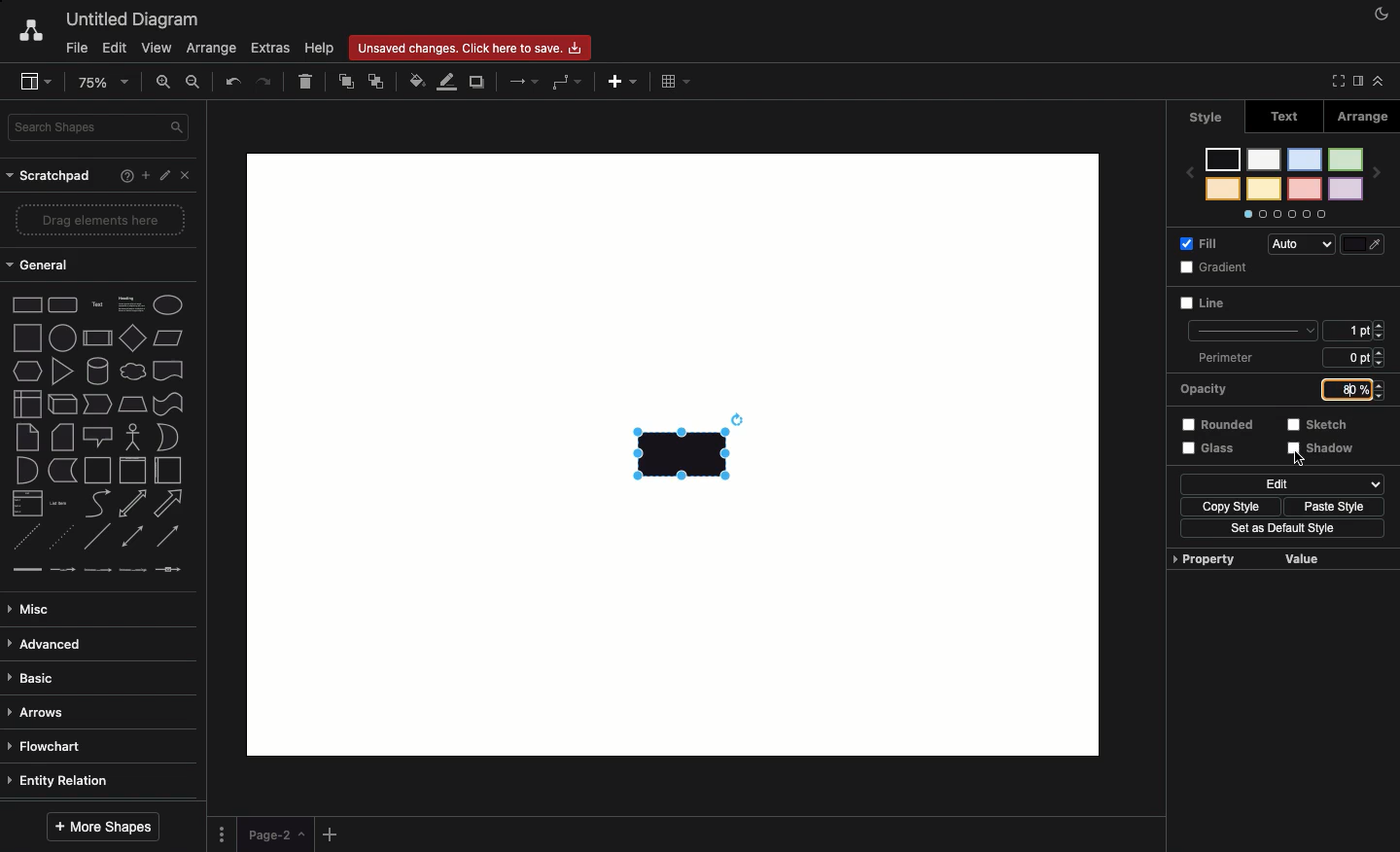 The height and width of the screenshot is (852, 1400). What do you see at coordinates (27, 306) in the screenshot?
I see `Rectangle ` at bounding box center [27, 306].